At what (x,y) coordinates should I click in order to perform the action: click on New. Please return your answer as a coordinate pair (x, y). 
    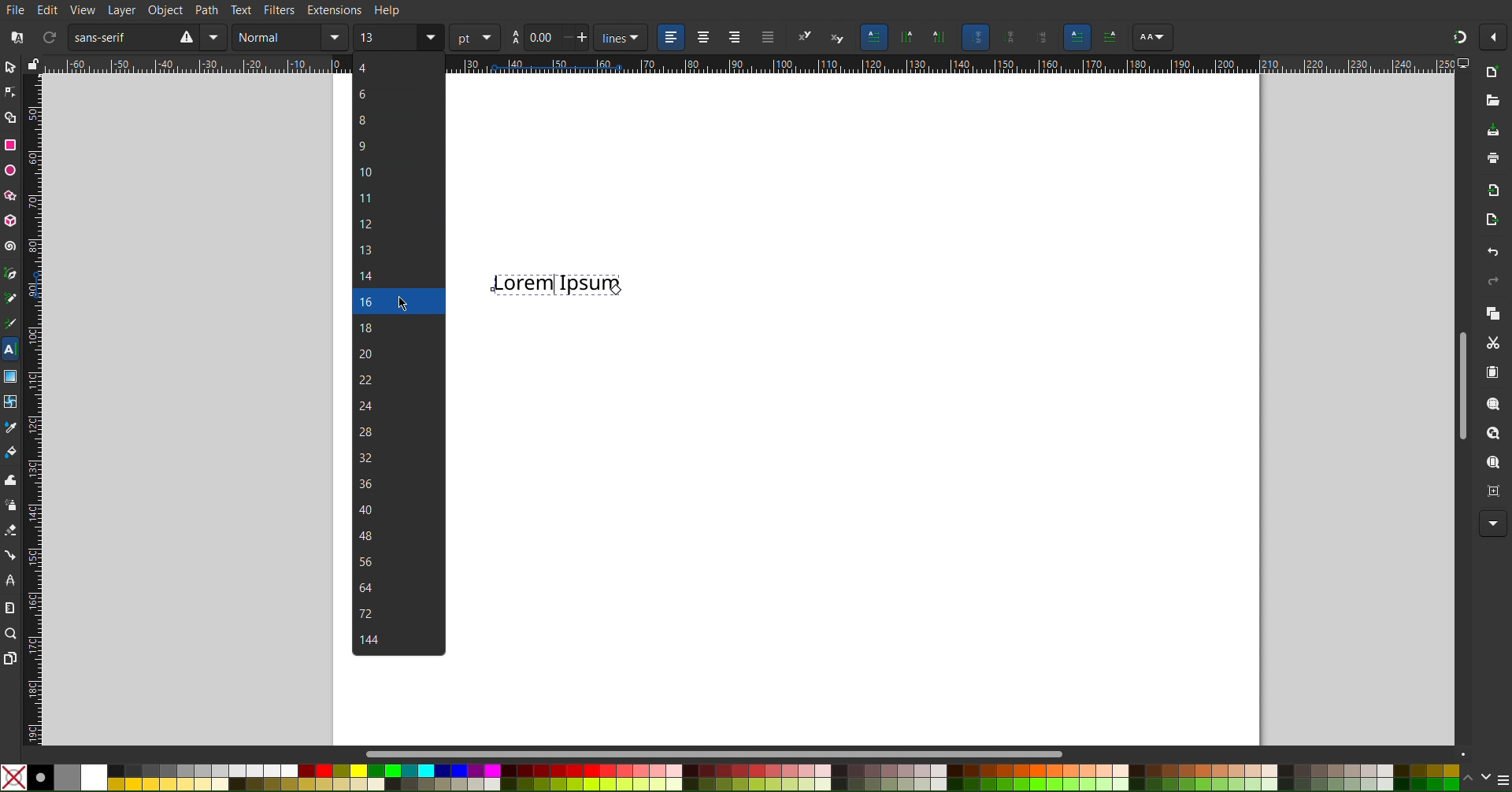
    Looking at the image, I should click on (1497, 71).